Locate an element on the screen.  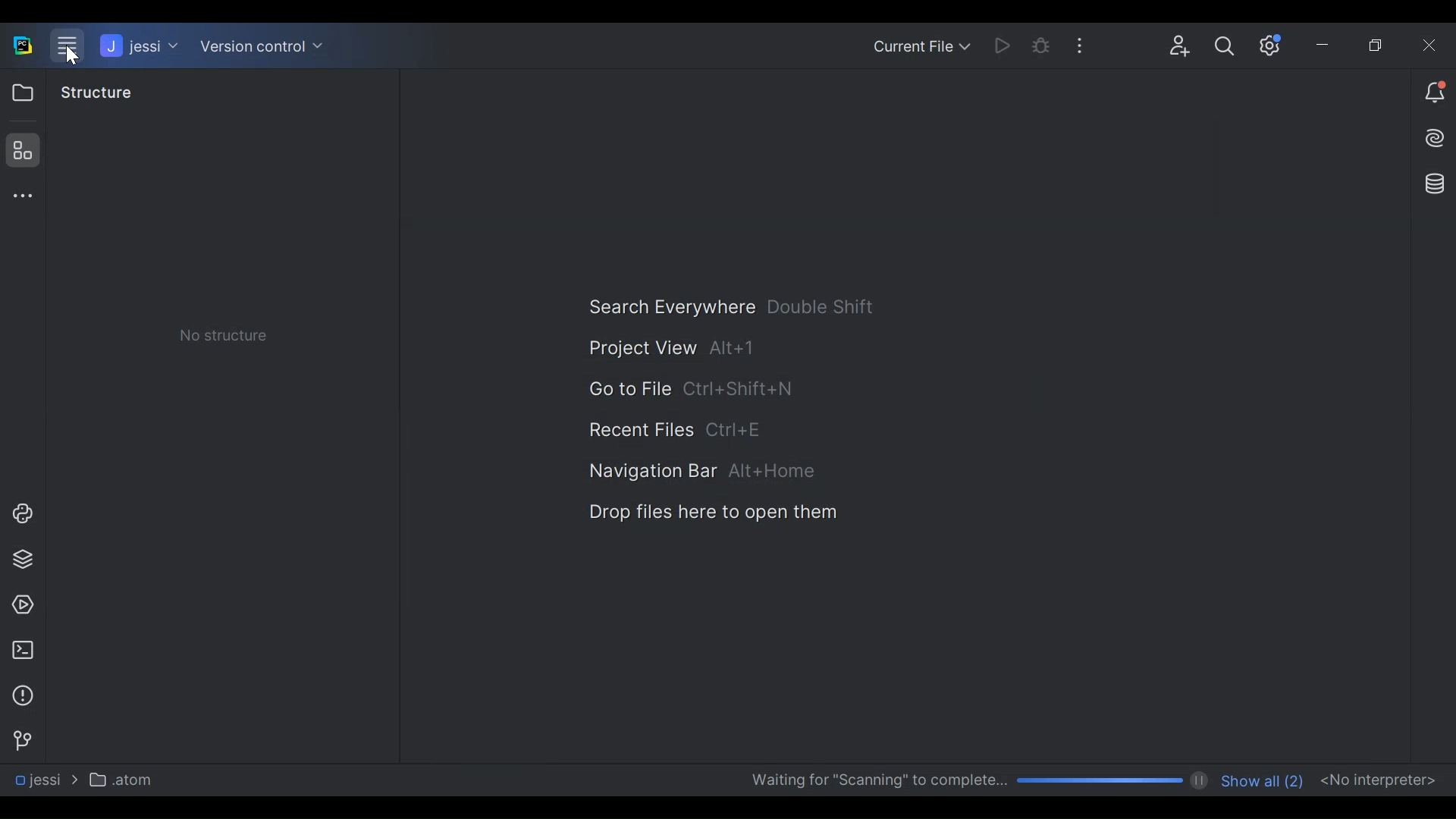
Scanning Progress is located at coordinates (968, 777).